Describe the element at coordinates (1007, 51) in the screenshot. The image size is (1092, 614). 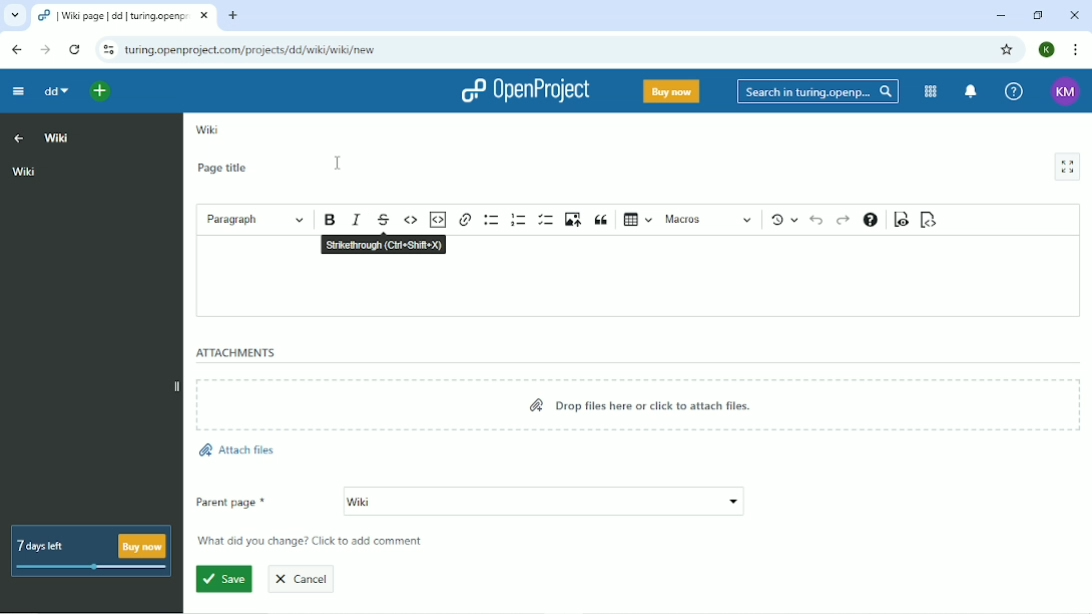
I see `Bookmark this tab` at that location.